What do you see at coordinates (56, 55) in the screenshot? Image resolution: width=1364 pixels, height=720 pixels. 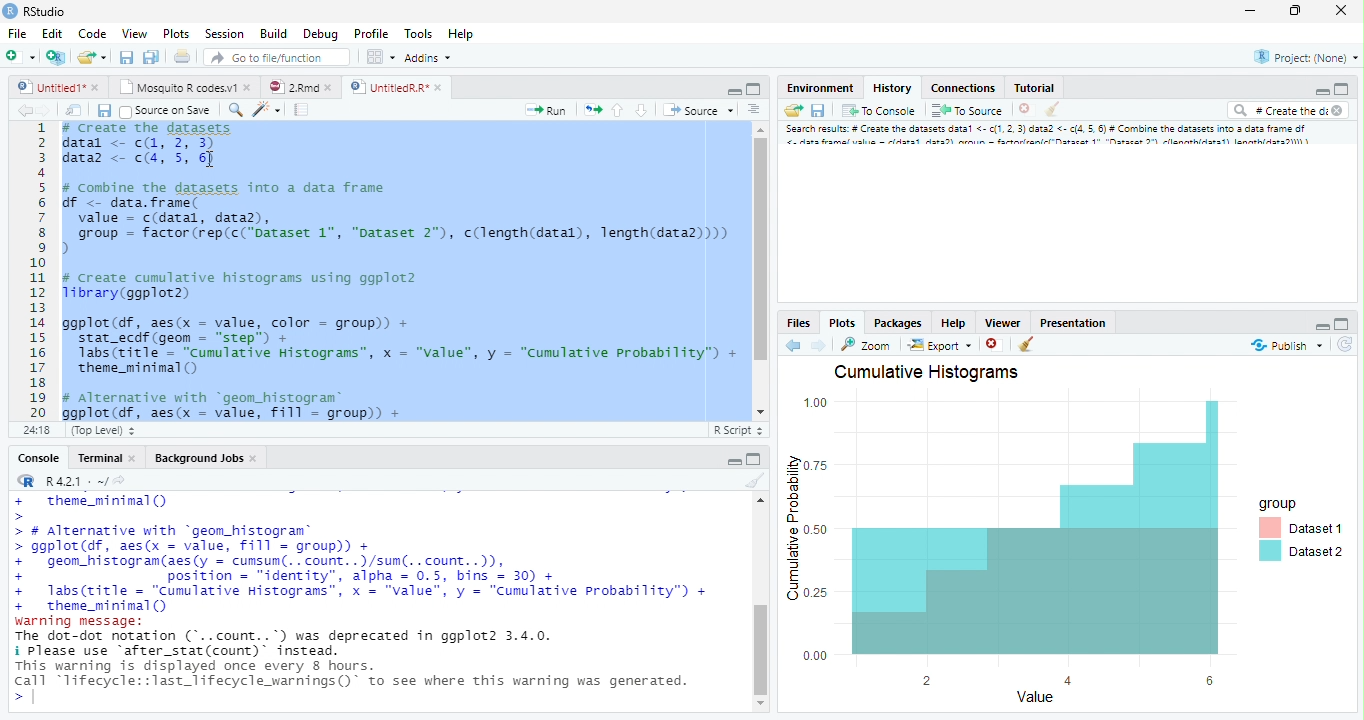 I see `Create a project` at bounding box center [56, 55].